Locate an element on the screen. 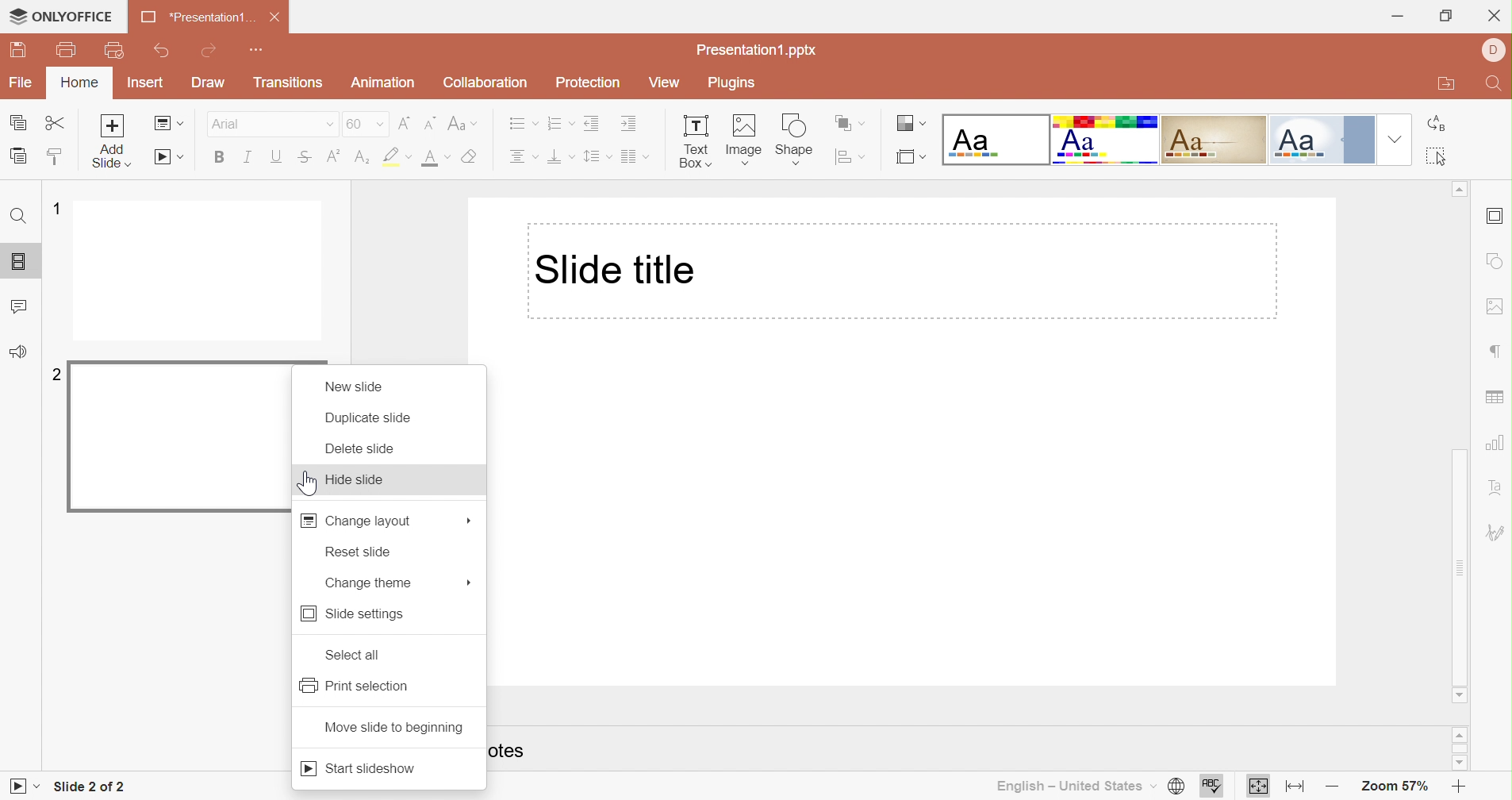 The image size is (1512, 800). Copy Style is located at coordinates (56, 152).